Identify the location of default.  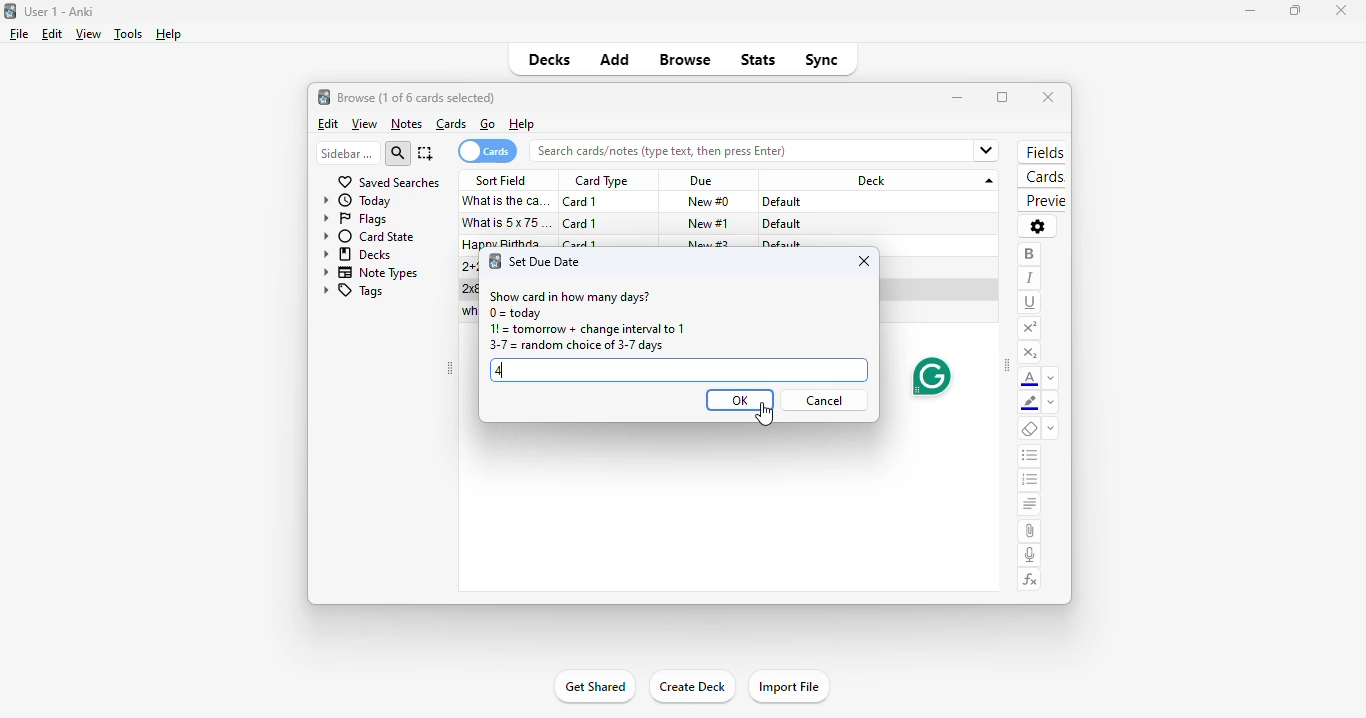
(781, 224).